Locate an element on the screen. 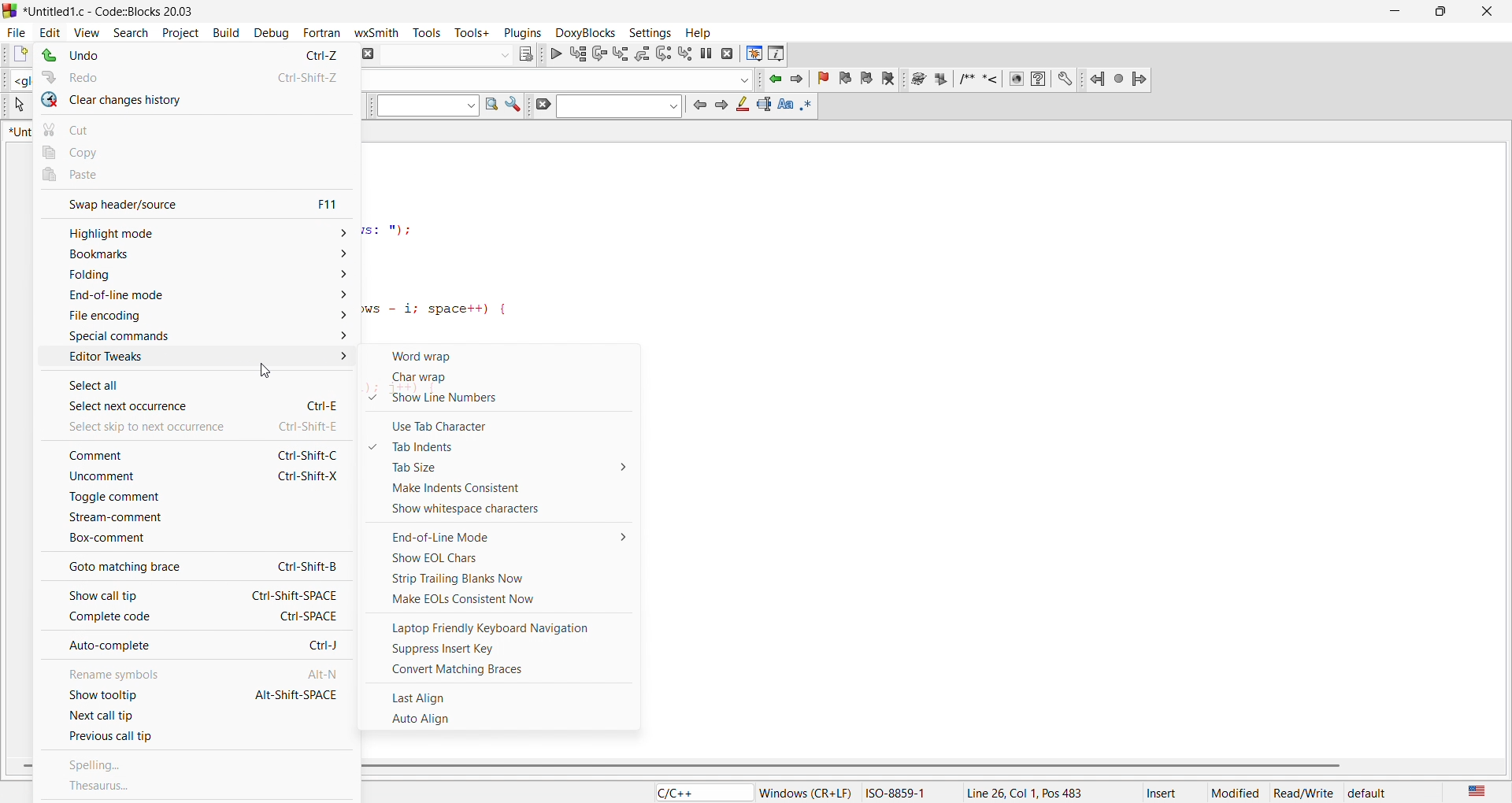 The height and width of the screenshot is (803, 1512). last align is located at coordinates (503, 694).